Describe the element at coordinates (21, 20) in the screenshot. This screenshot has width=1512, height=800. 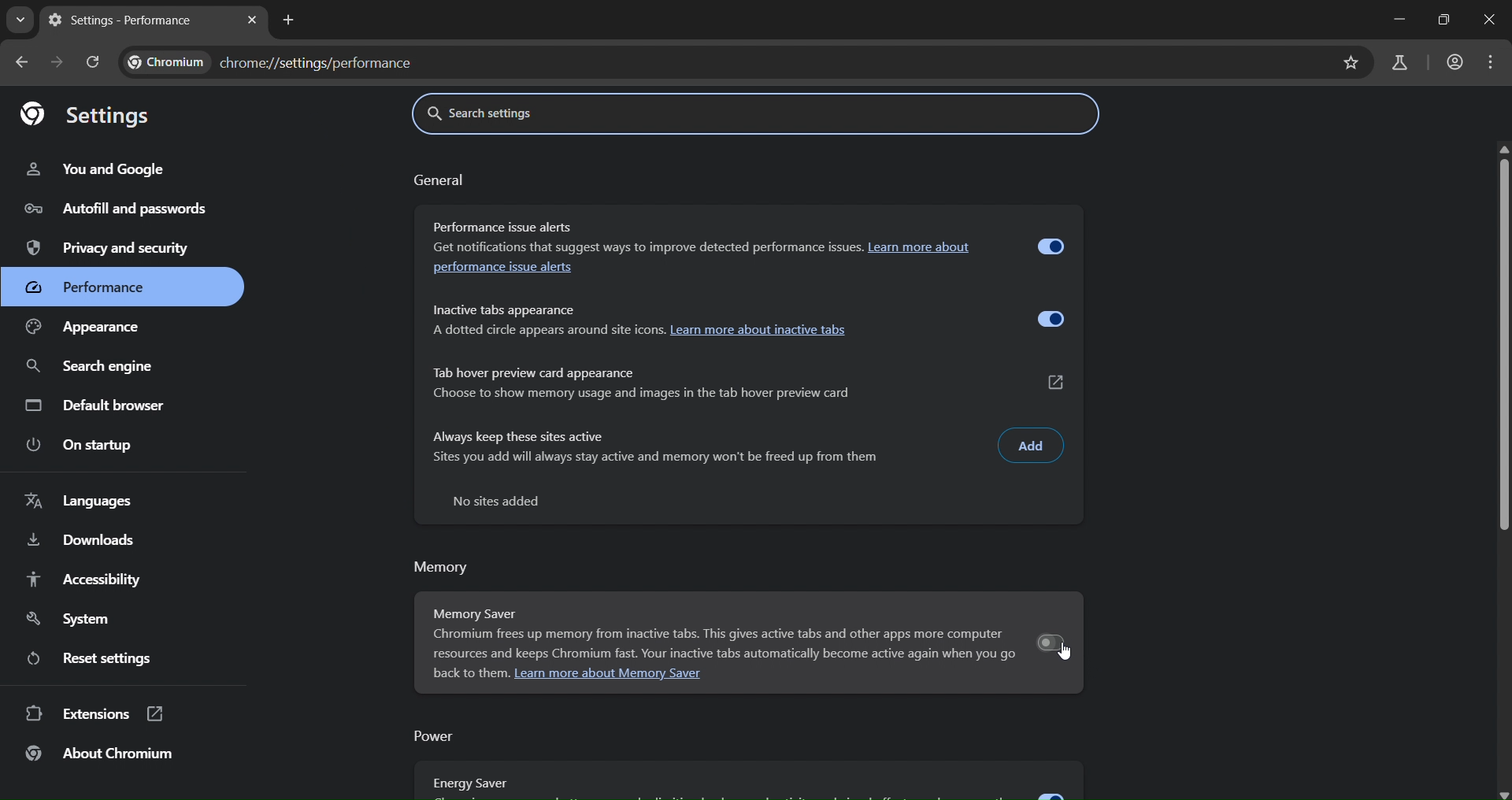
I see `search tabs` at that location.